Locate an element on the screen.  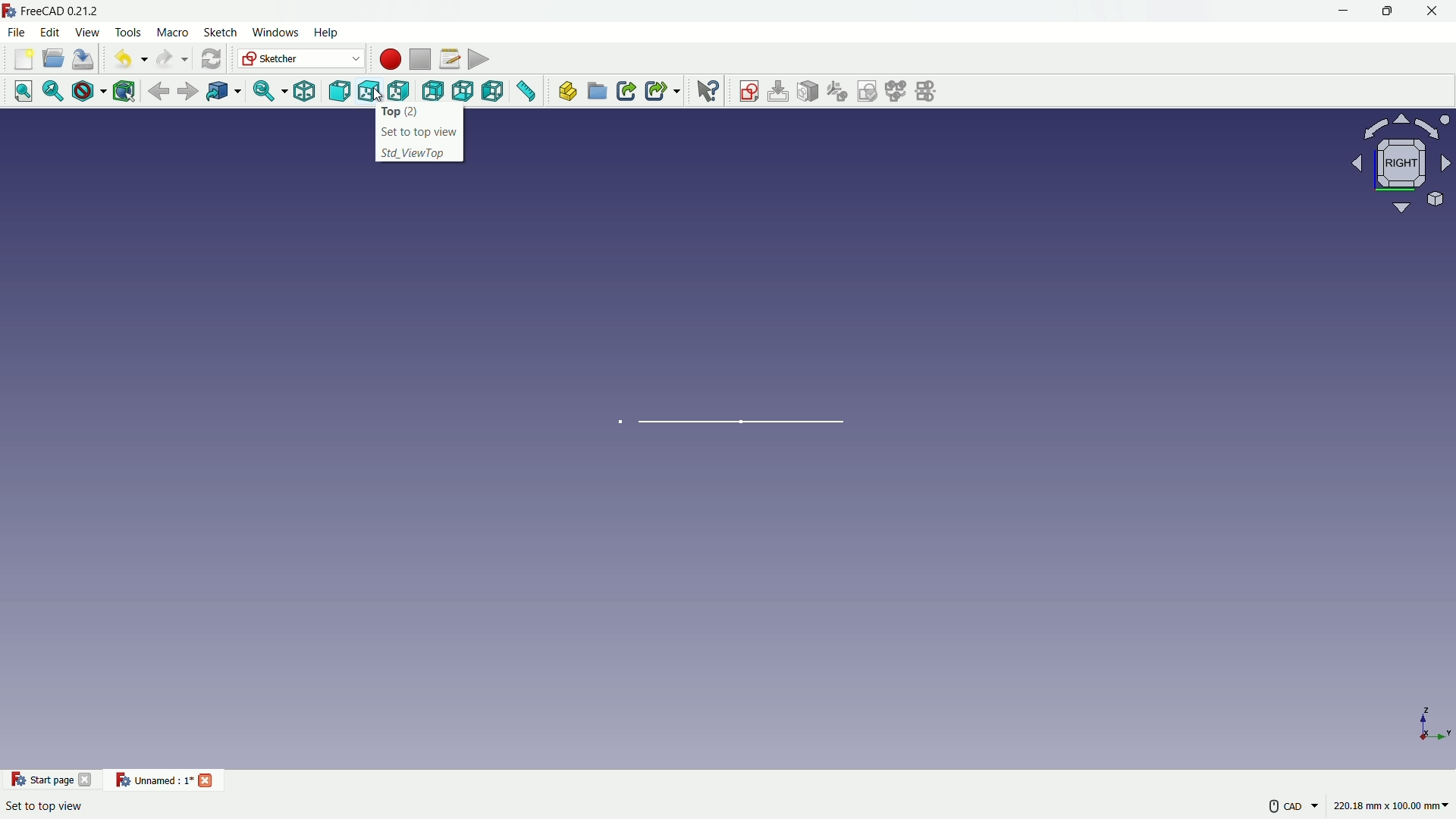
edit sketch is located at coordinates (779, 91).